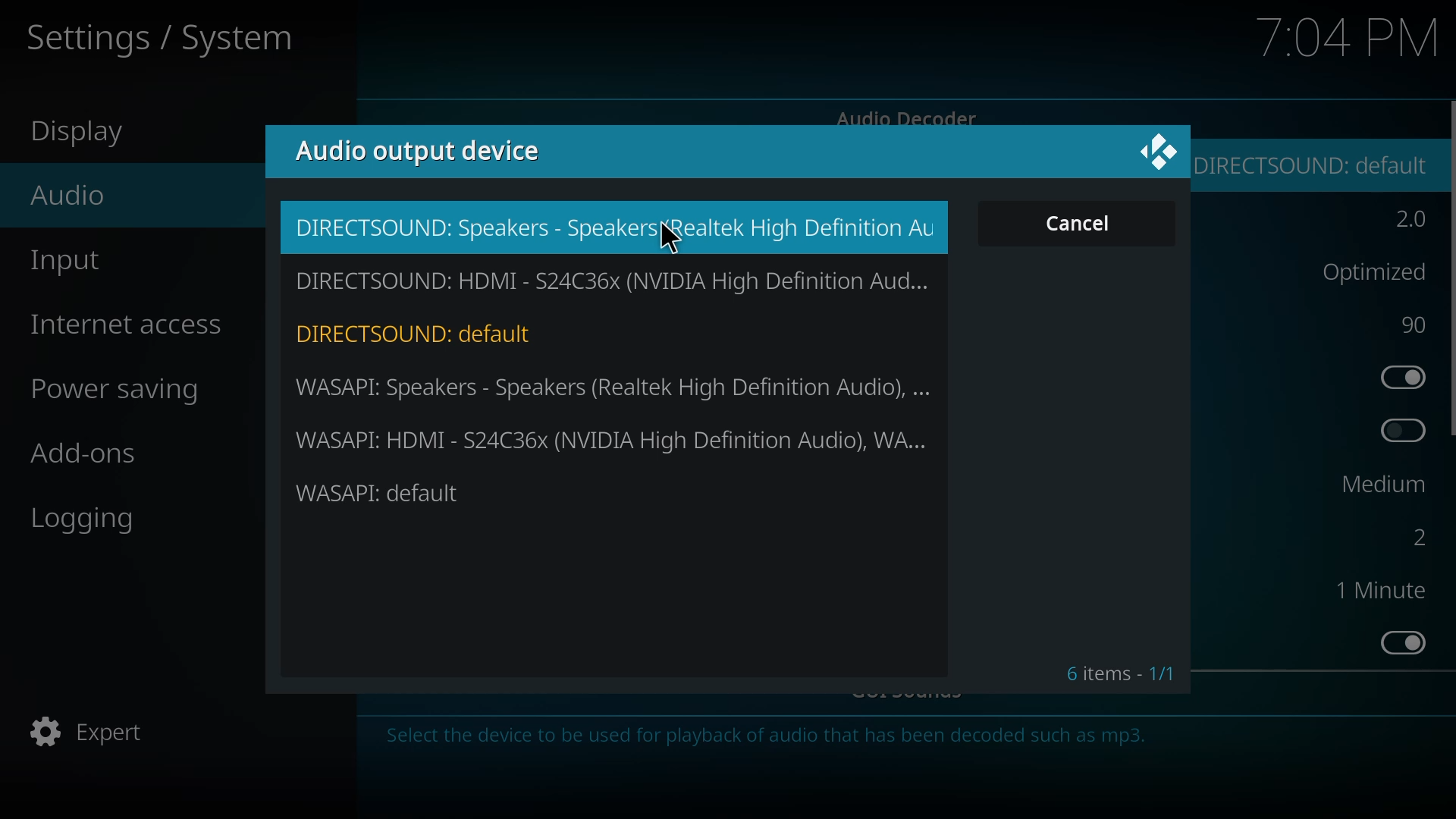 The width and height of the screenshot is (1456, 819). What do you see at coordinates (71, 264) in the screenshot?
I see `input` at bounding box center [71, 264].